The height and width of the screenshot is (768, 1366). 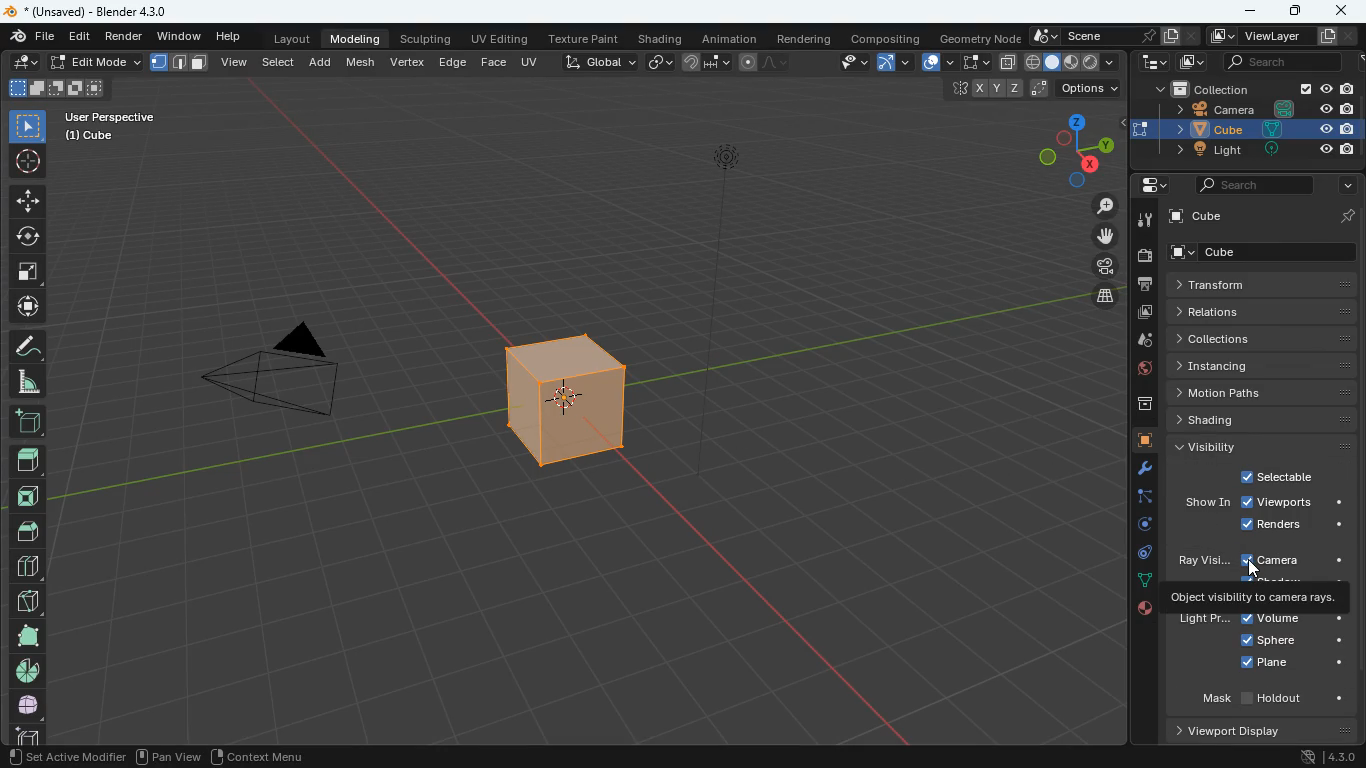 I want to click on tools, so click(x=1146, y=222).